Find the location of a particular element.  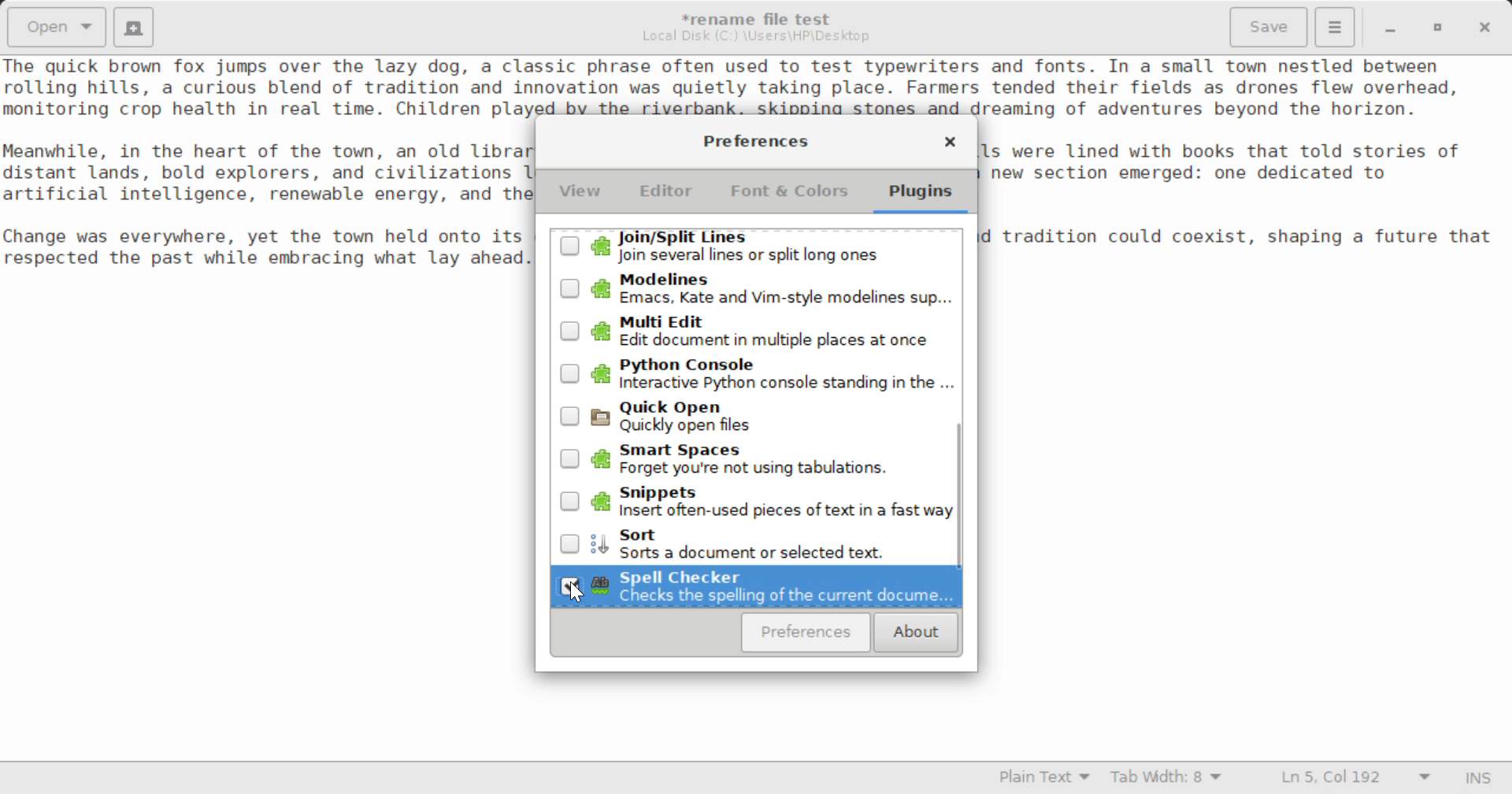

File Name  is located at coordinates (761, 17).